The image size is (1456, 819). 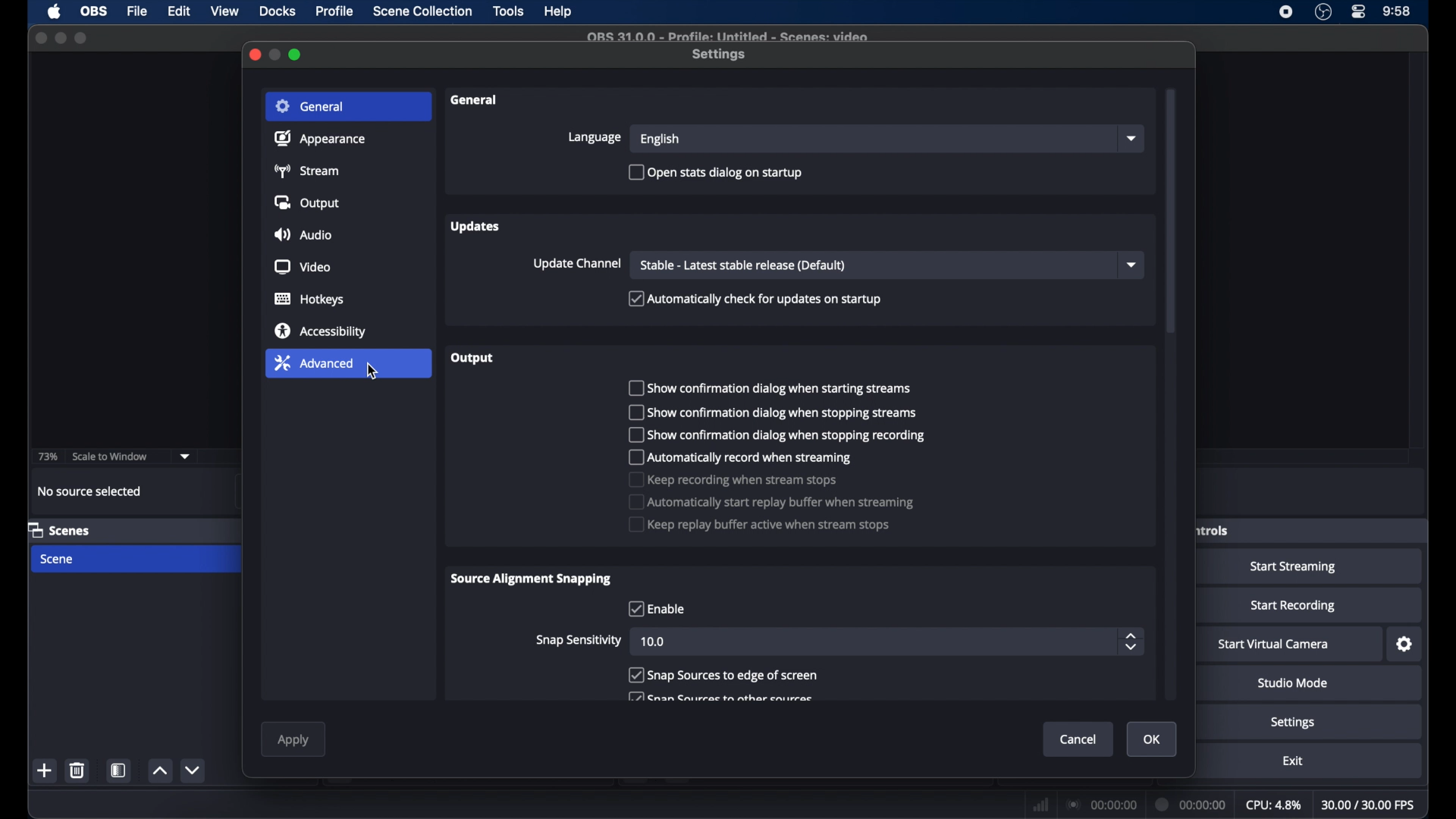 What do you see at coordinates (89, 491) in the screenshot?
I see `no source selected ` at bounding box center [89, 491].